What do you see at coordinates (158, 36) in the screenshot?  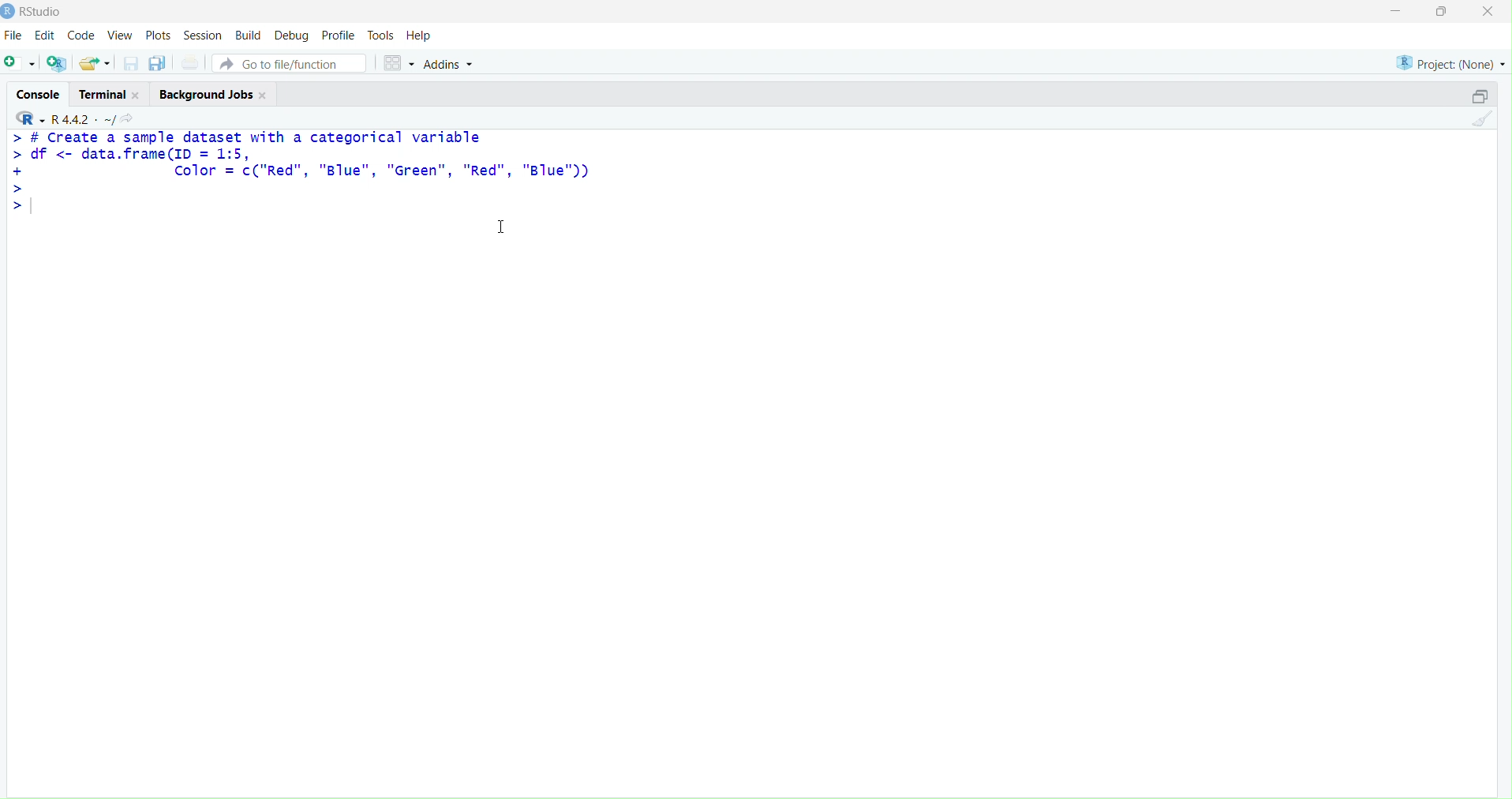 I see `plots` at bounding box center [158, 36].